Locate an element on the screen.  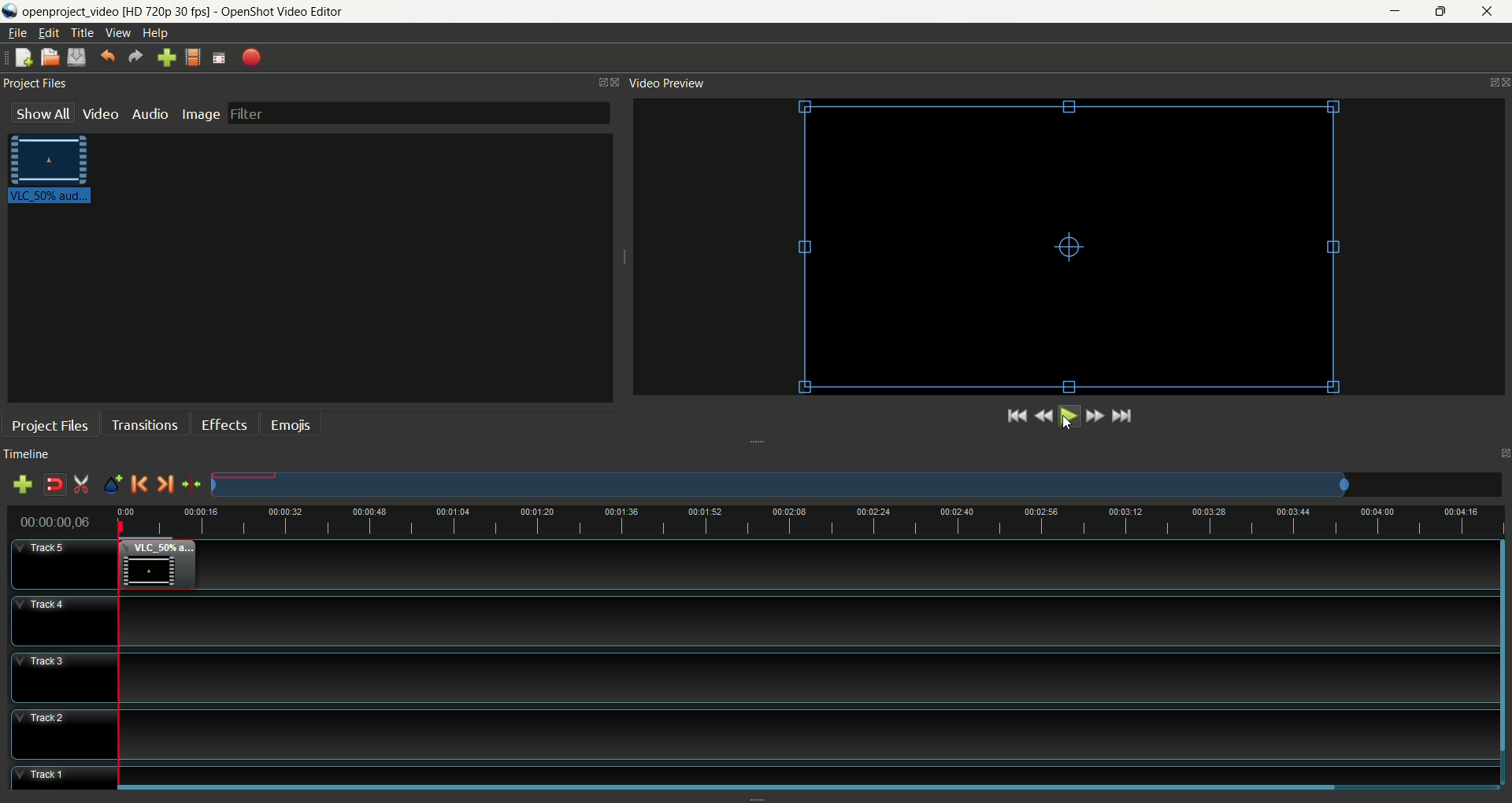
enable razor is located at coordinates (82, 485).